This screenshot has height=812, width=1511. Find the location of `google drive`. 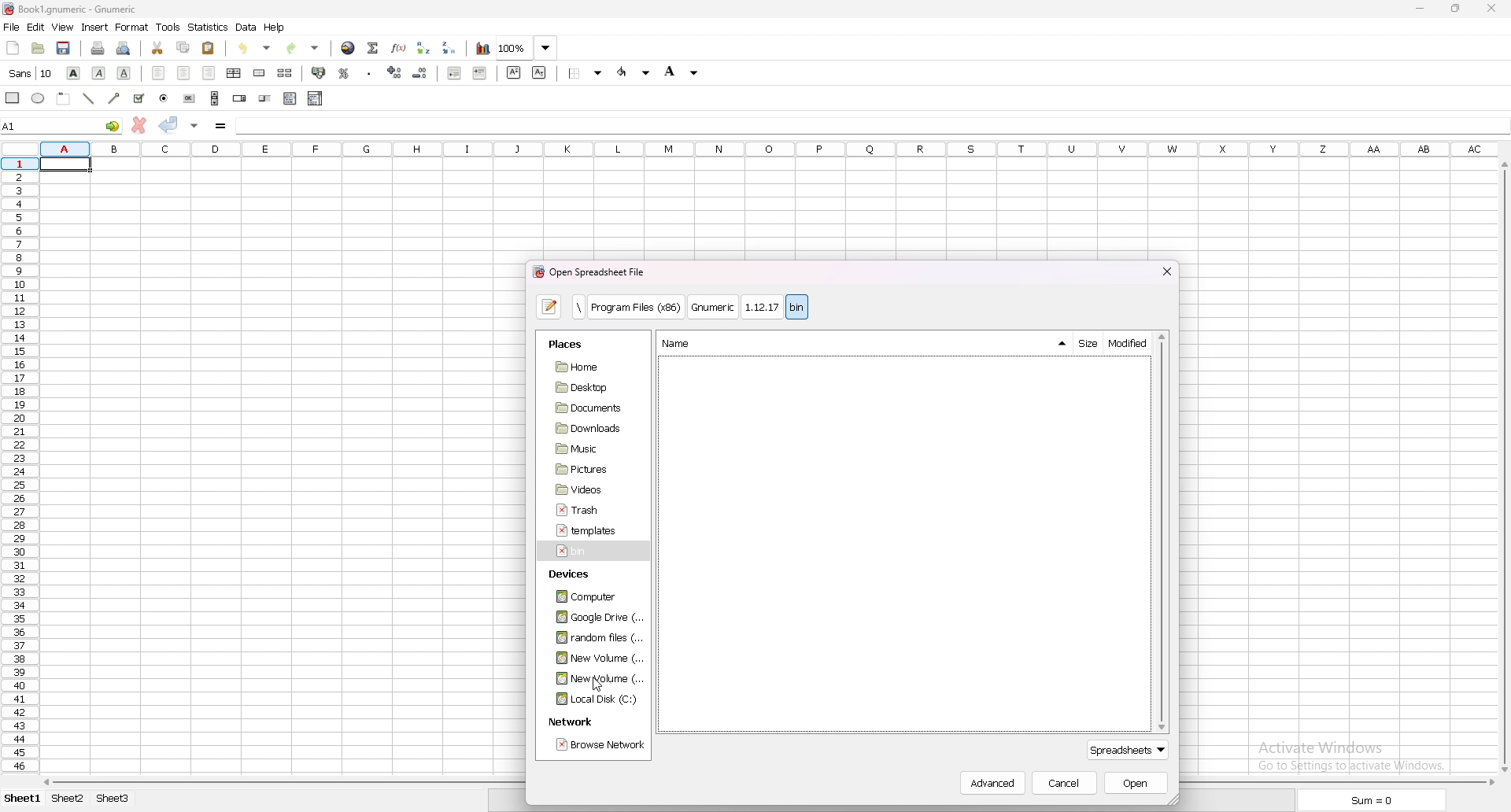

google drive is located at coordinates (595, 618).